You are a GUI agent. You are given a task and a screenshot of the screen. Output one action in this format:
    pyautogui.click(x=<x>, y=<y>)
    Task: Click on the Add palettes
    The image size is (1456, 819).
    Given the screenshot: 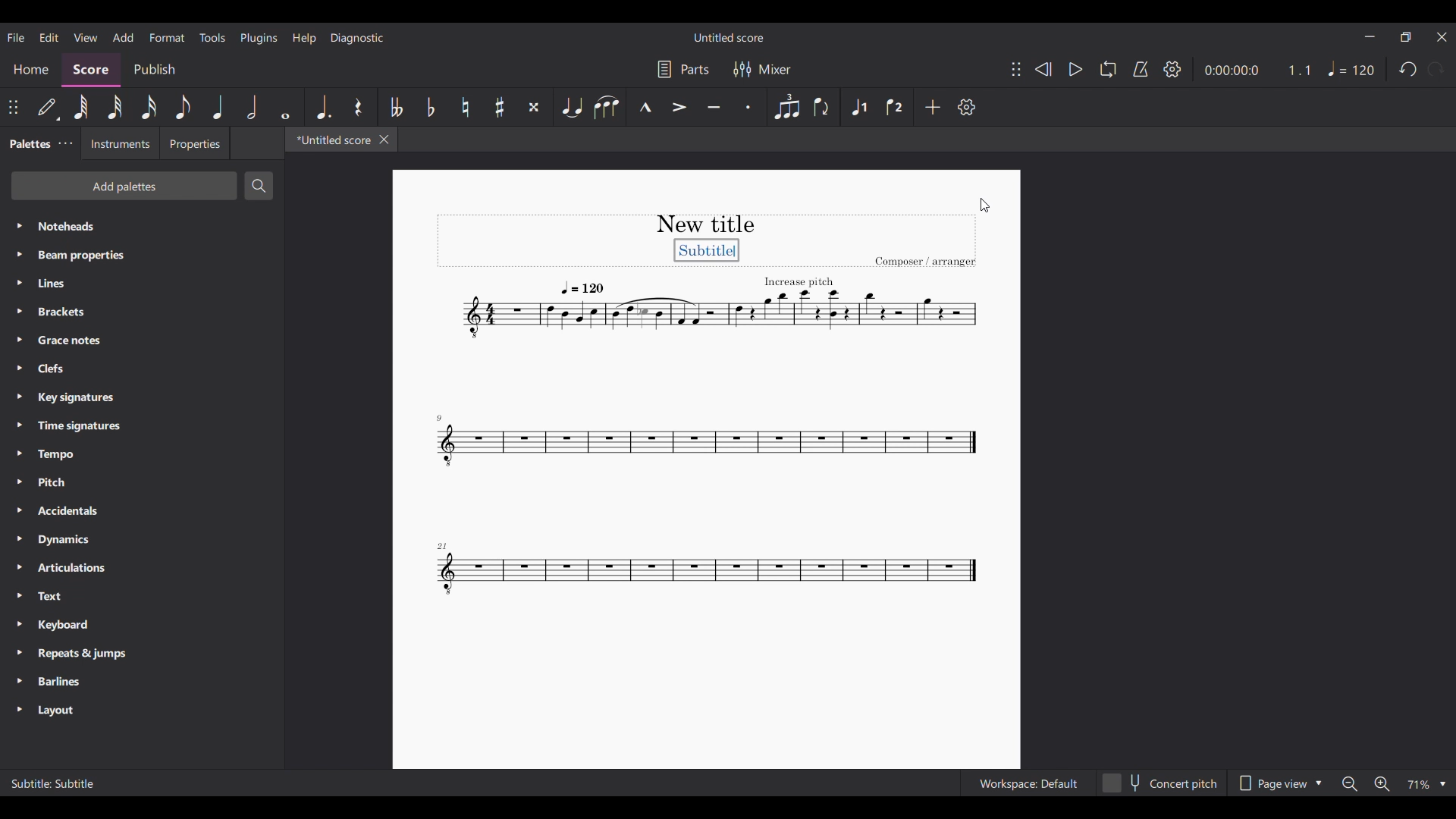 What is the action you would take?
    pyautogui.click(x=124, y=186)
    